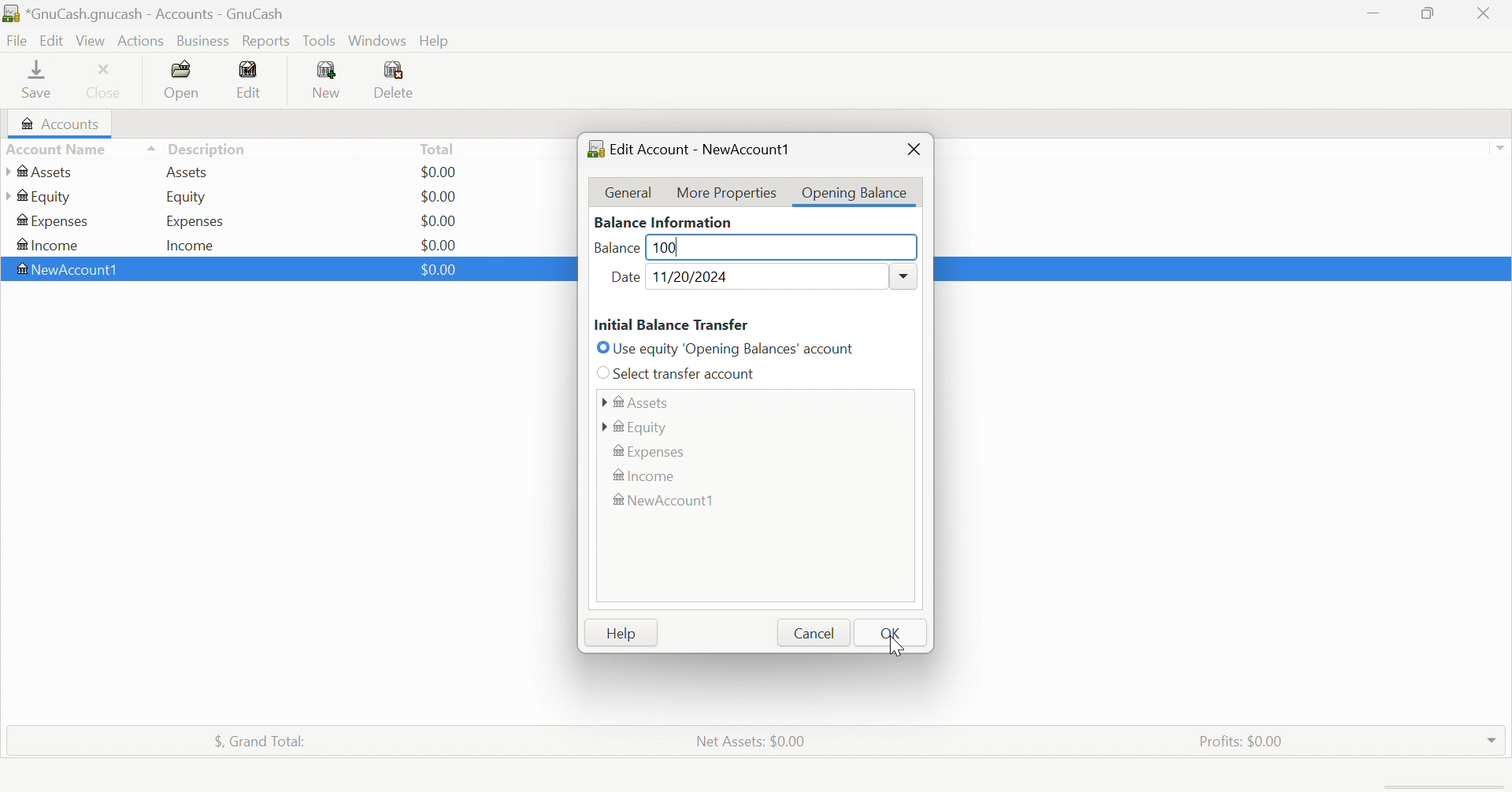 This screenshot has width=1512, height=792. I want to click on Edit Account - NewAccount1, so click(690, 148).